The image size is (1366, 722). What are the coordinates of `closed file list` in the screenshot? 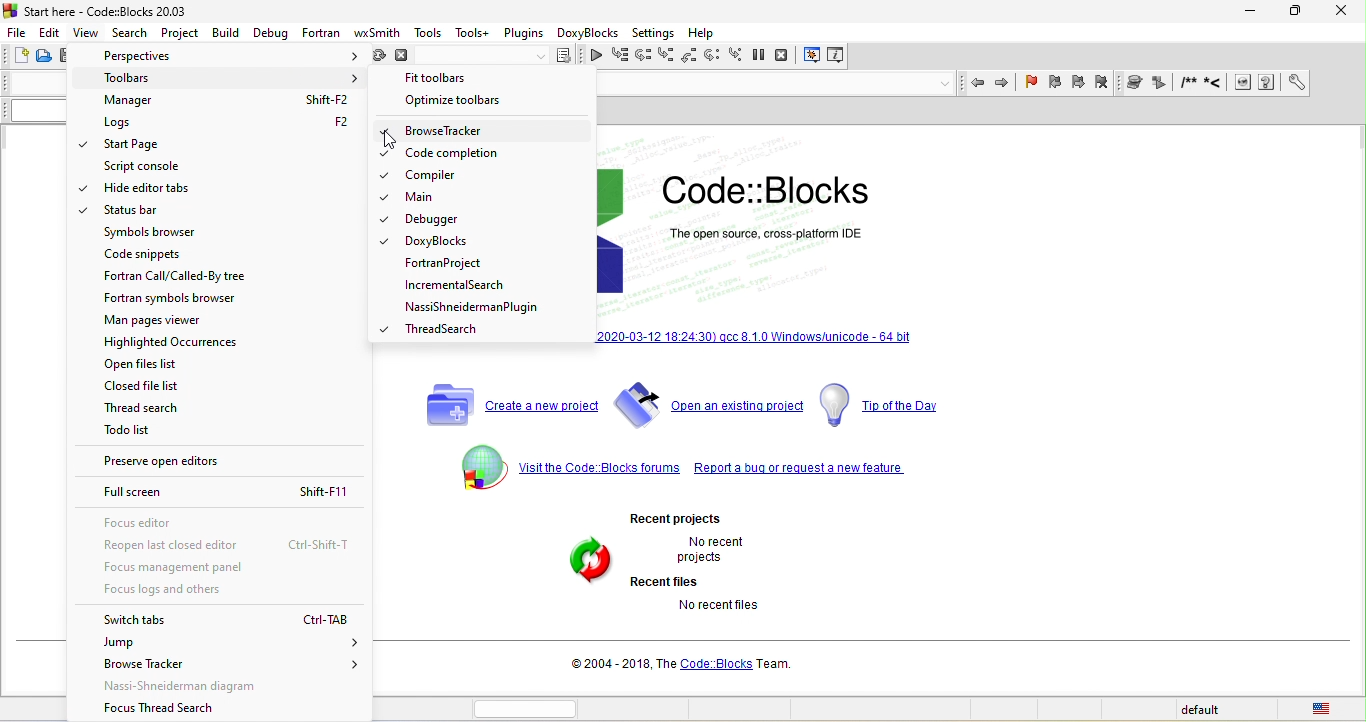 It's located at (143, 388).